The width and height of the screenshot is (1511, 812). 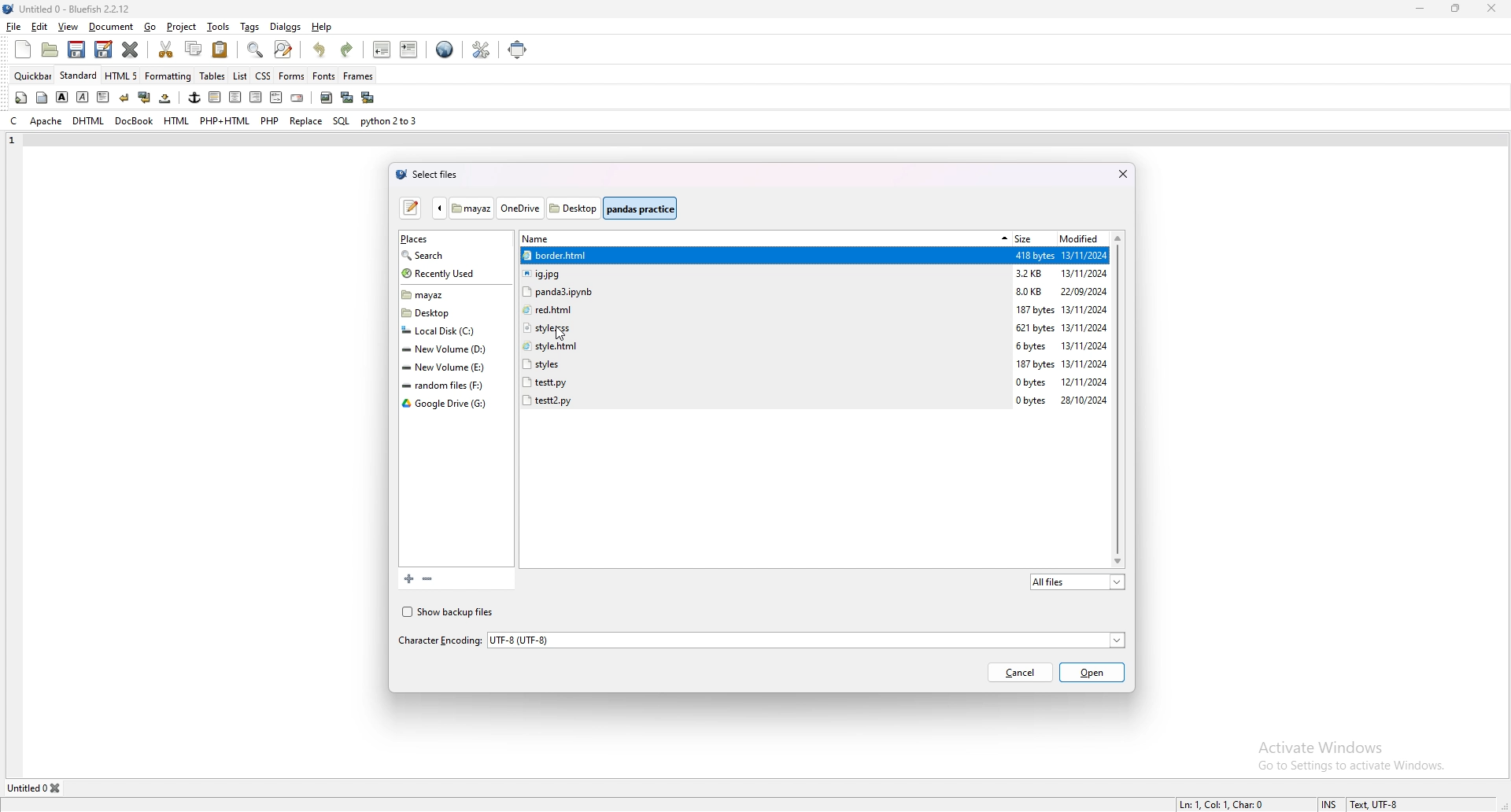 What do you see at coordinates (766, 273) in the screenshot?
I see `file` at bounding box center [766, 273].